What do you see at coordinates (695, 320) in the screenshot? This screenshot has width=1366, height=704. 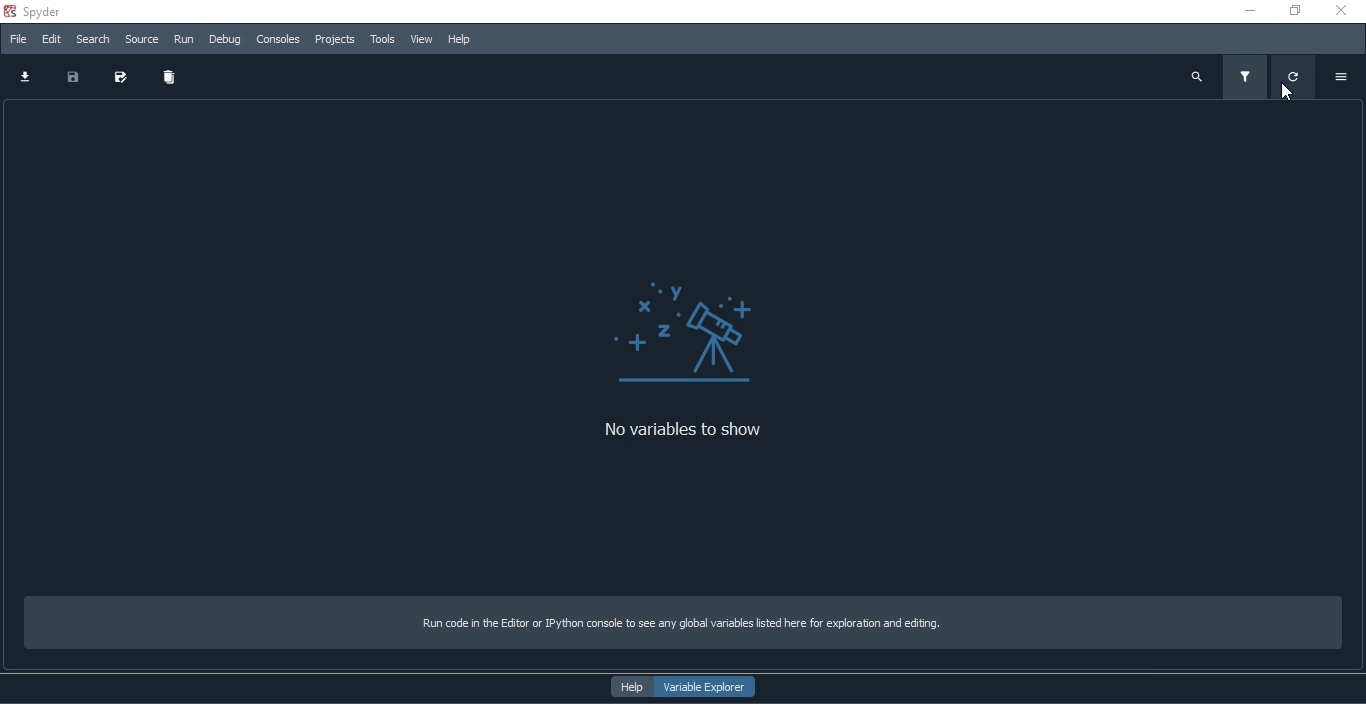 I see `Logo` at bounding box center [695, 320].